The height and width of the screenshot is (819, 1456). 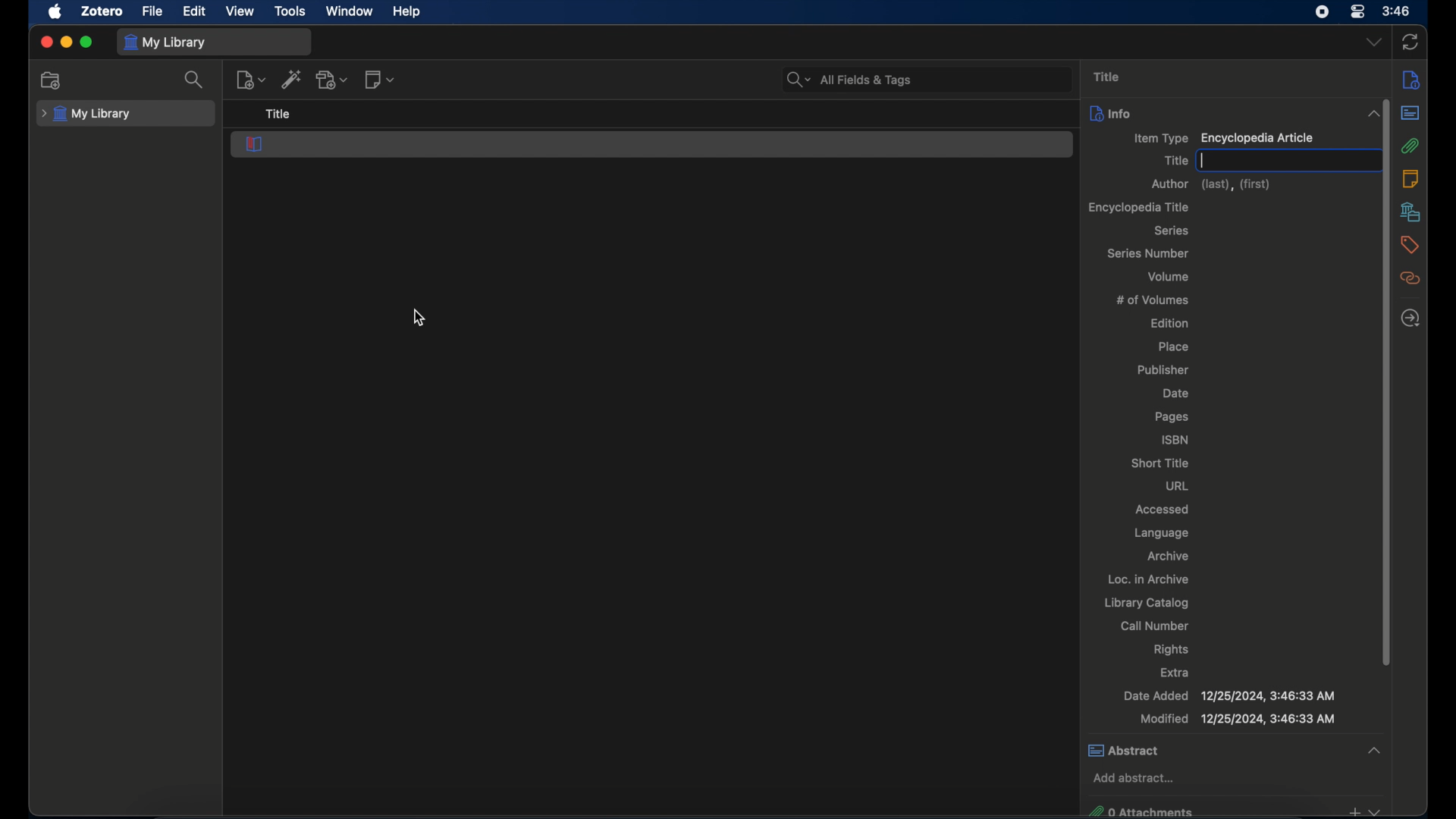 What do you see at coordinates (1172, 322) in the screenshot?
I see `edition` at bounding box center [1172, 322].